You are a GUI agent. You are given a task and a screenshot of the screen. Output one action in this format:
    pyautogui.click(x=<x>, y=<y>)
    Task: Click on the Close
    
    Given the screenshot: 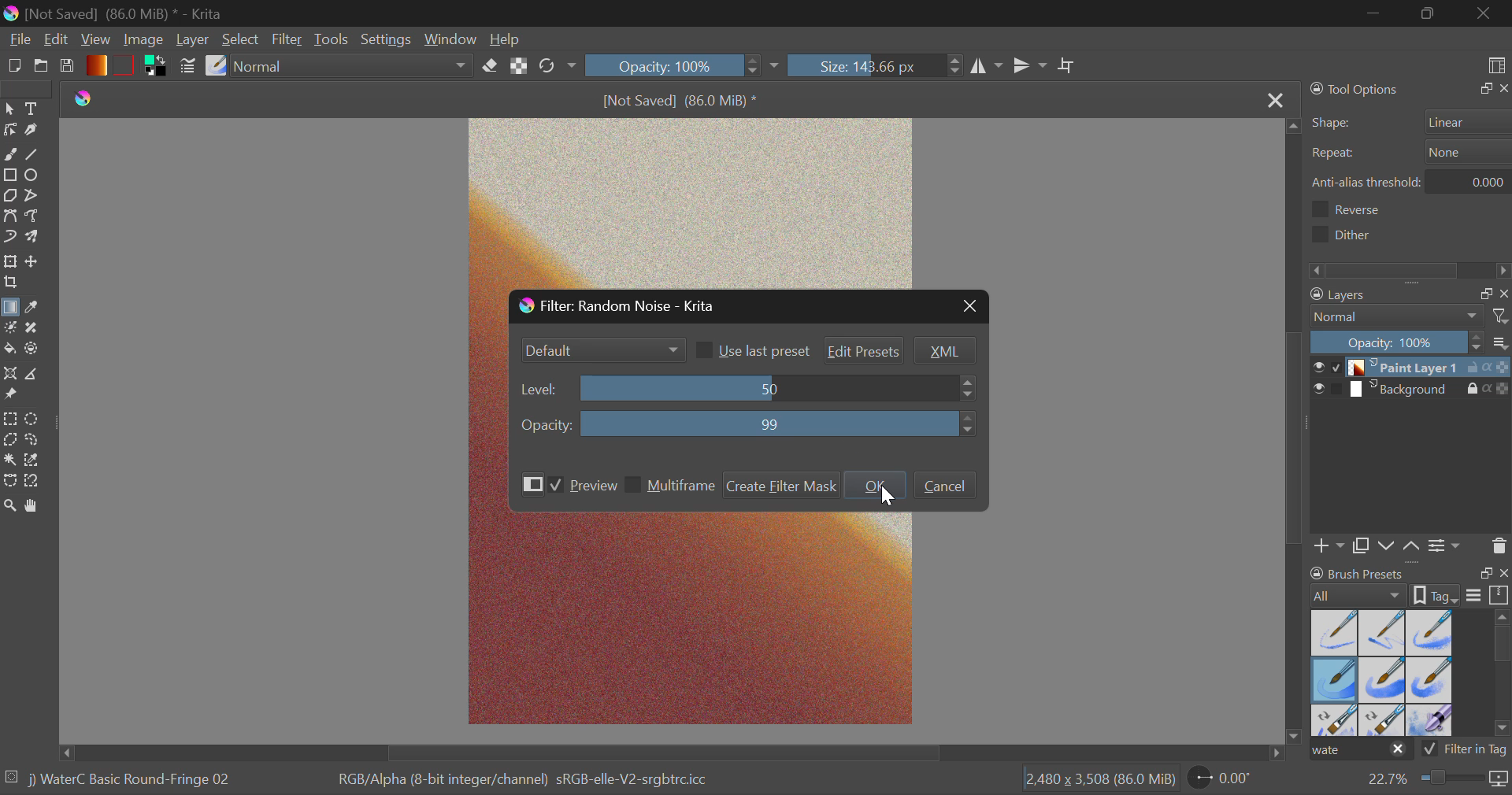 What is the action you would take?
    pyautogui.click(x=965, y=307)
    